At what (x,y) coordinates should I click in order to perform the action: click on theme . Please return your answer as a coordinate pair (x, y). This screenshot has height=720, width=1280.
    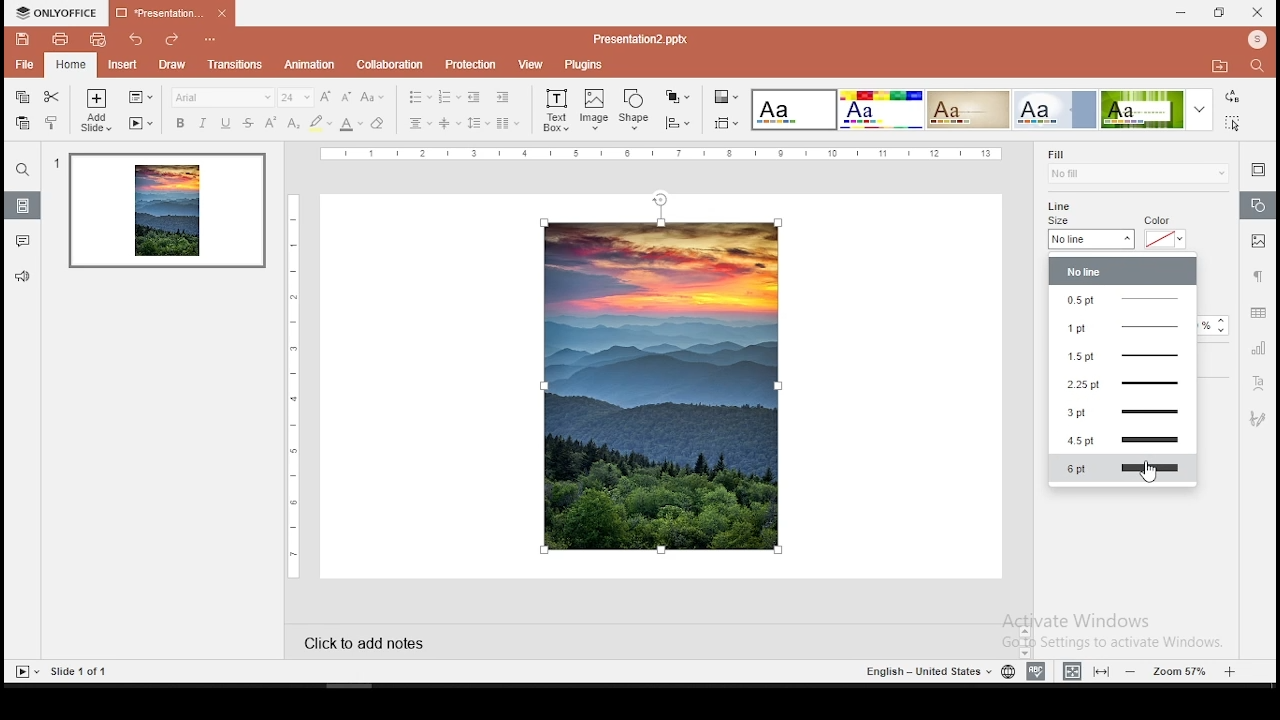
    Looking at the image, I should click on (1056, 109).